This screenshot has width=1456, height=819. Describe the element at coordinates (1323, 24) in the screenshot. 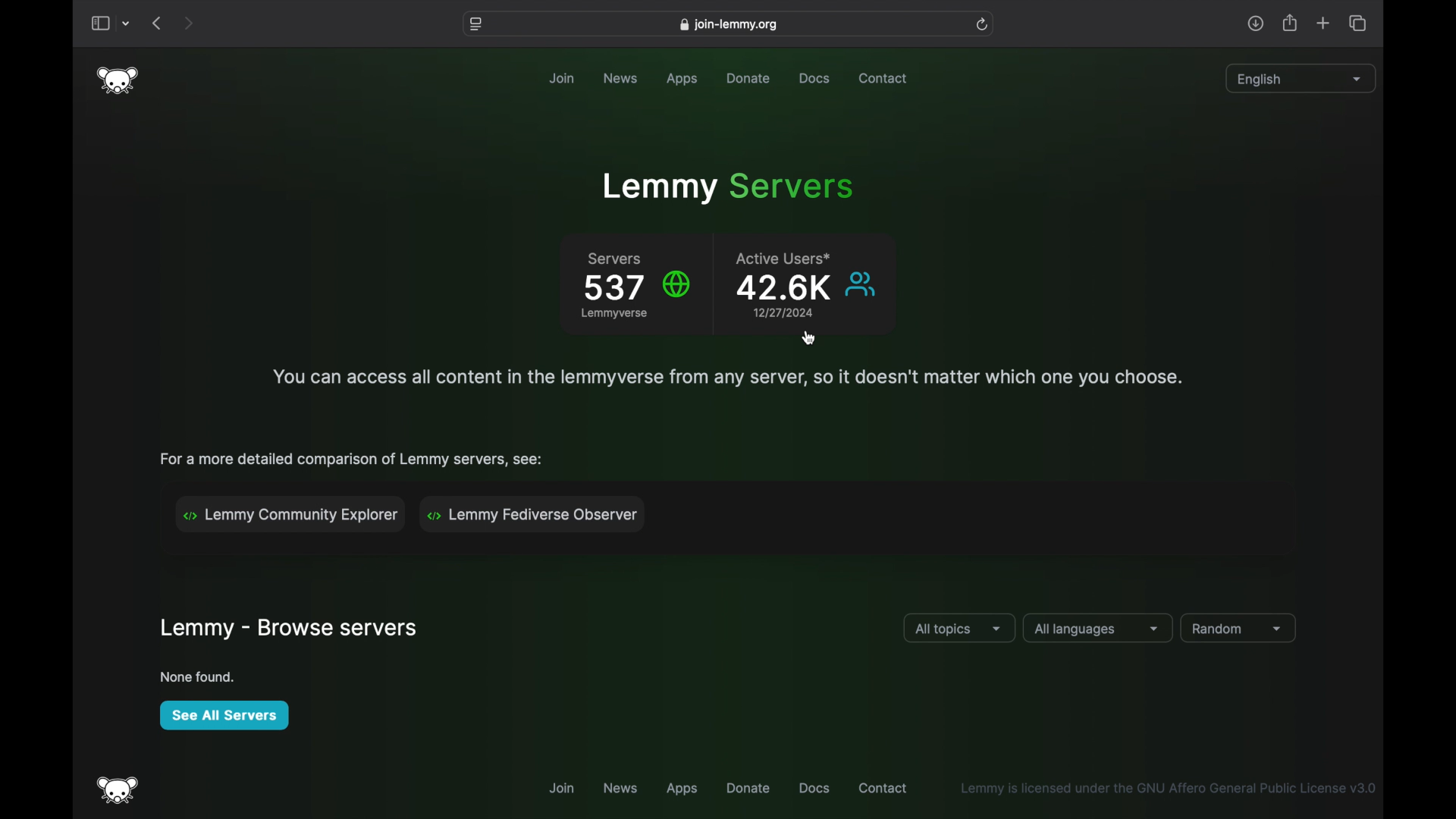

I see `new tab` at that location.